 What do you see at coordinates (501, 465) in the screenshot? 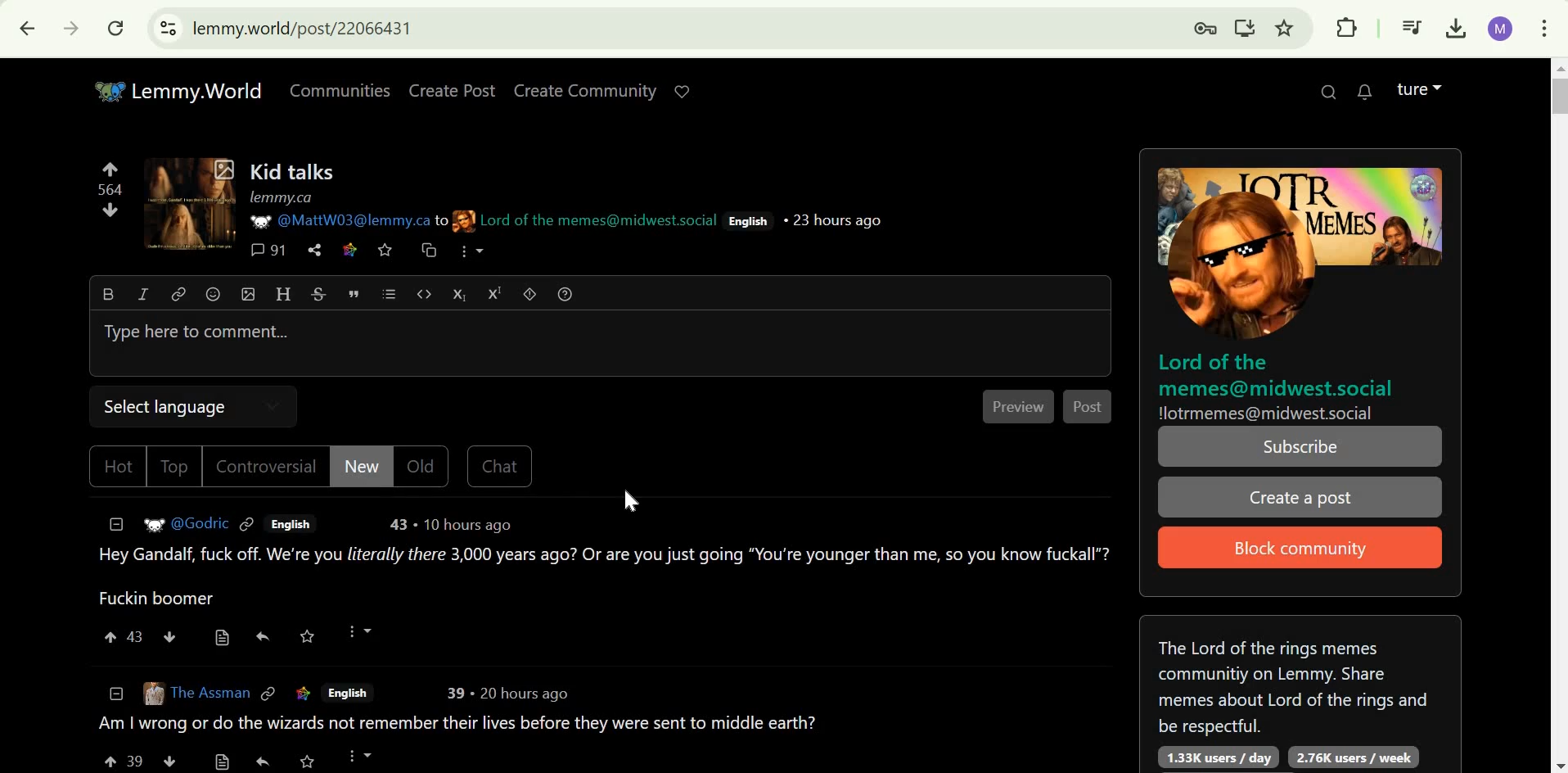
I see `Chat` at bounding box center [501, 465].